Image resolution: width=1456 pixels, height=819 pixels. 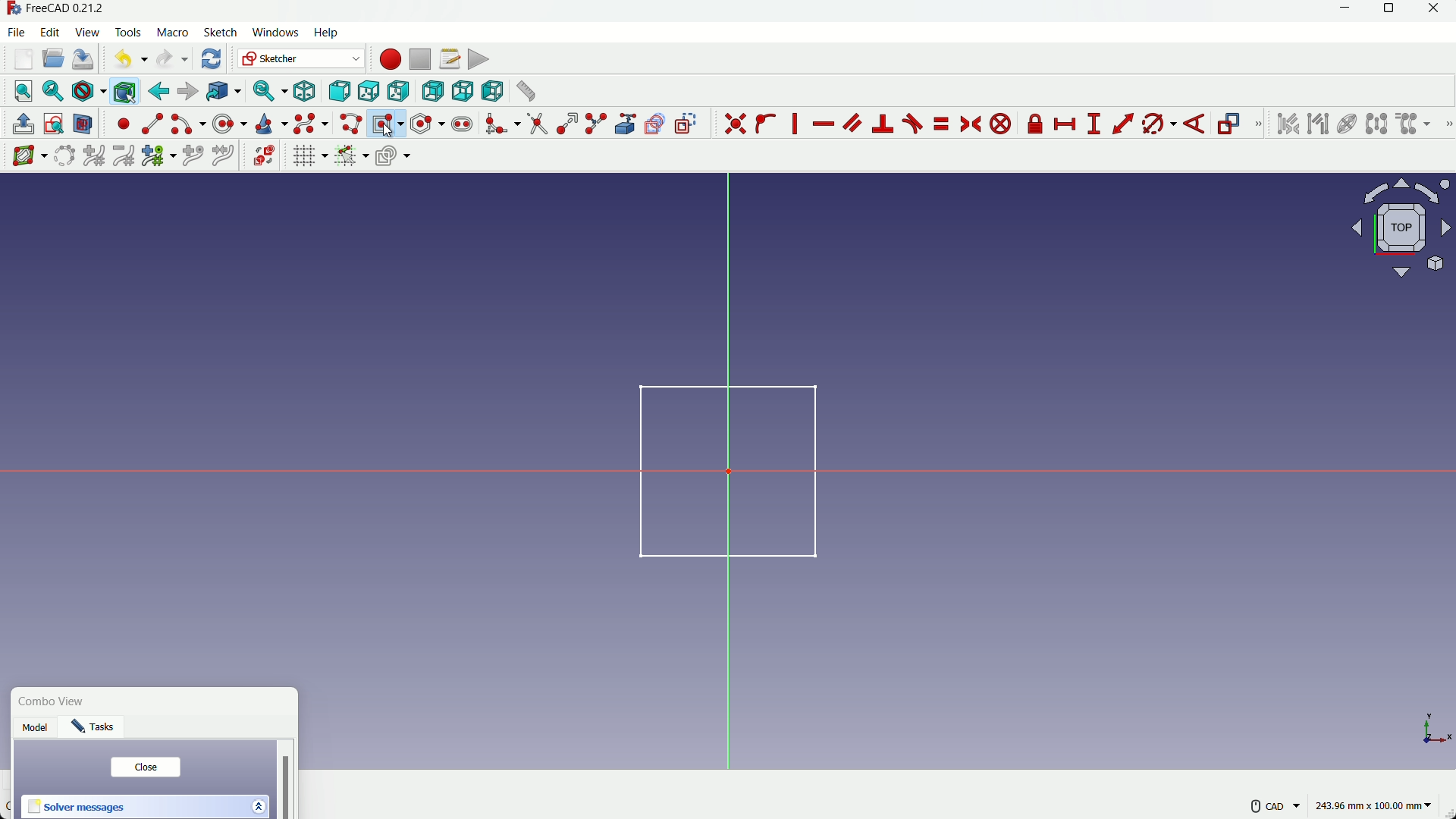 What do you see at coordinates (213, 58) in the screenshot?
I see `refresh` at bounding box center [213, 58].